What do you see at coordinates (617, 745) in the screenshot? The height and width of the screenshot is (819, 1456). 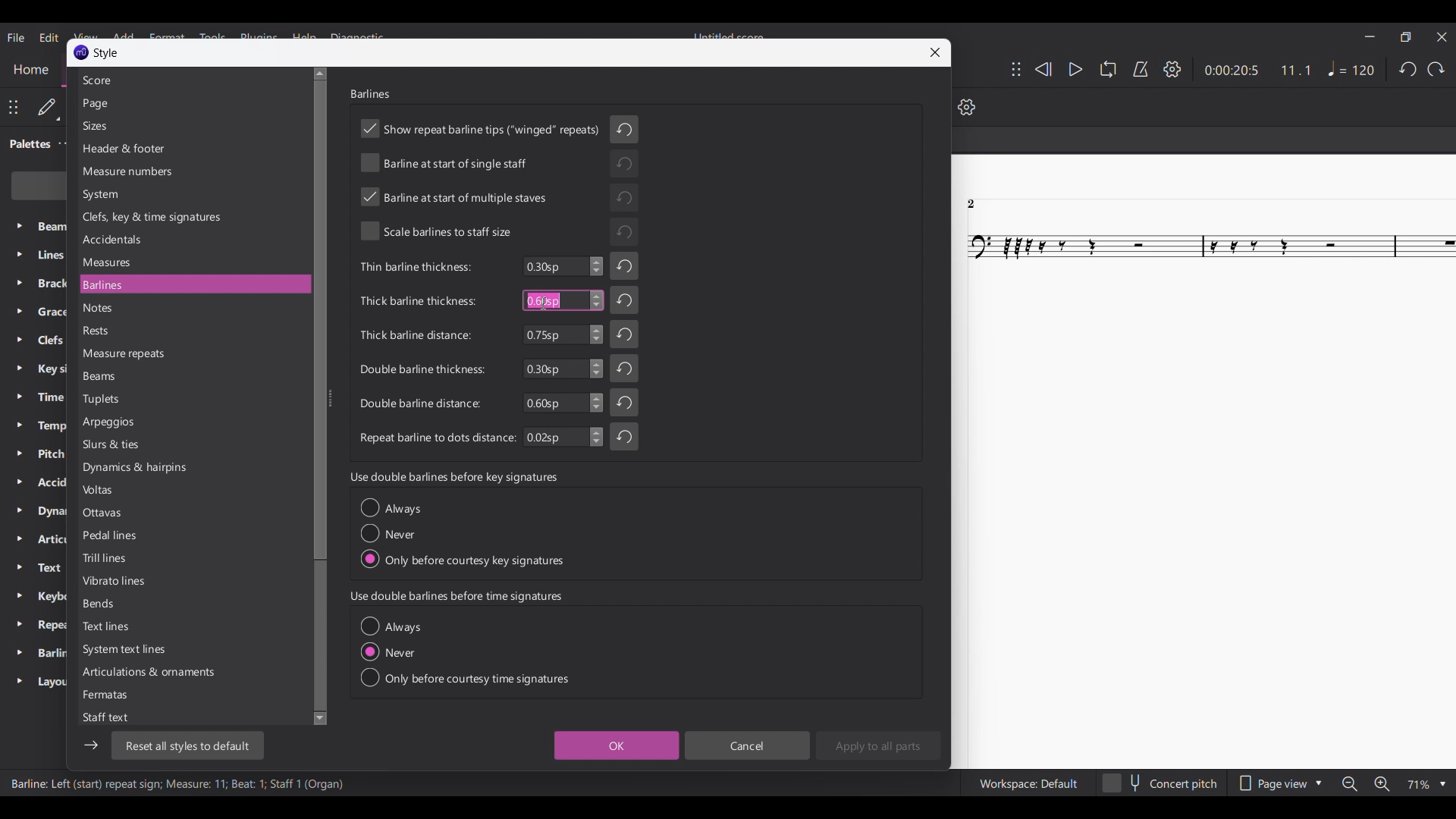 I see `OK` at bounding box center [617, 745].